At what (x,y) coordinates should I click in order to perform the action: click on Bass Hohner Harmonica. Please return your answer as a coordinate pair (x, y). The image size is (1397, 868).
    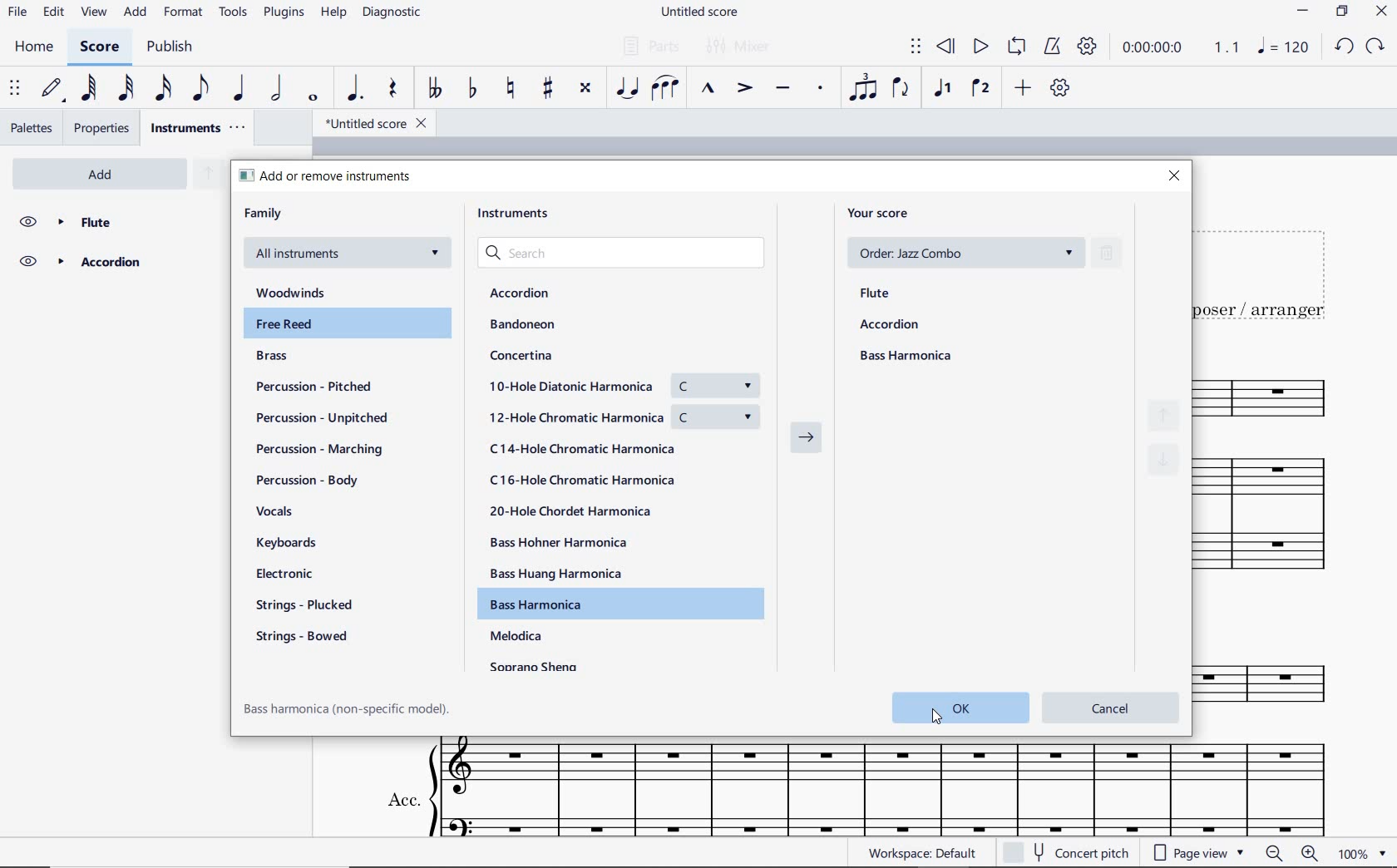
    Looking at the image, I should click on (560, 542).